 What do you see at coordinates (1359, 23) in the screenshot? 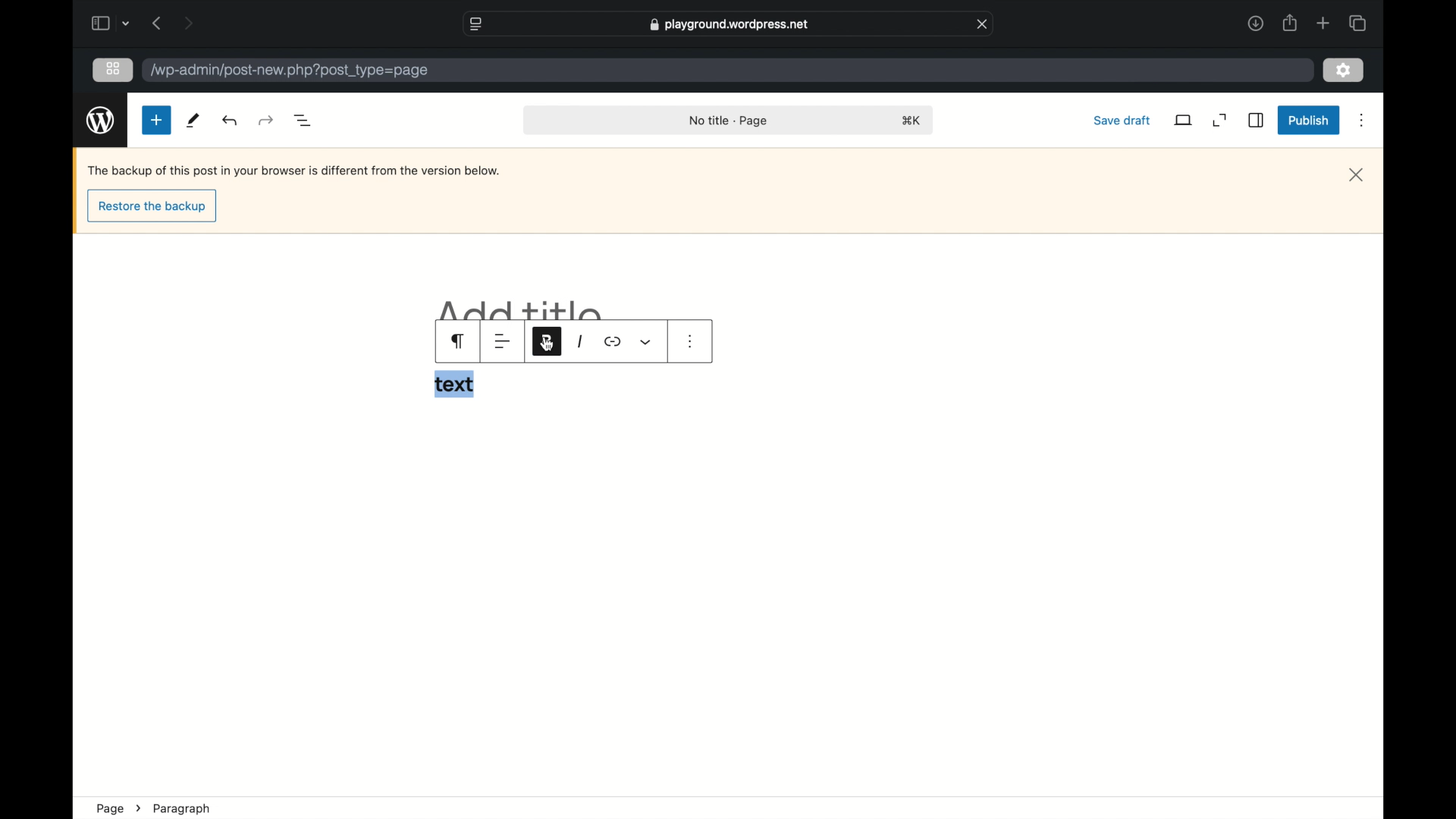
I see `show tab overview` at bounding box center [1359, 23].